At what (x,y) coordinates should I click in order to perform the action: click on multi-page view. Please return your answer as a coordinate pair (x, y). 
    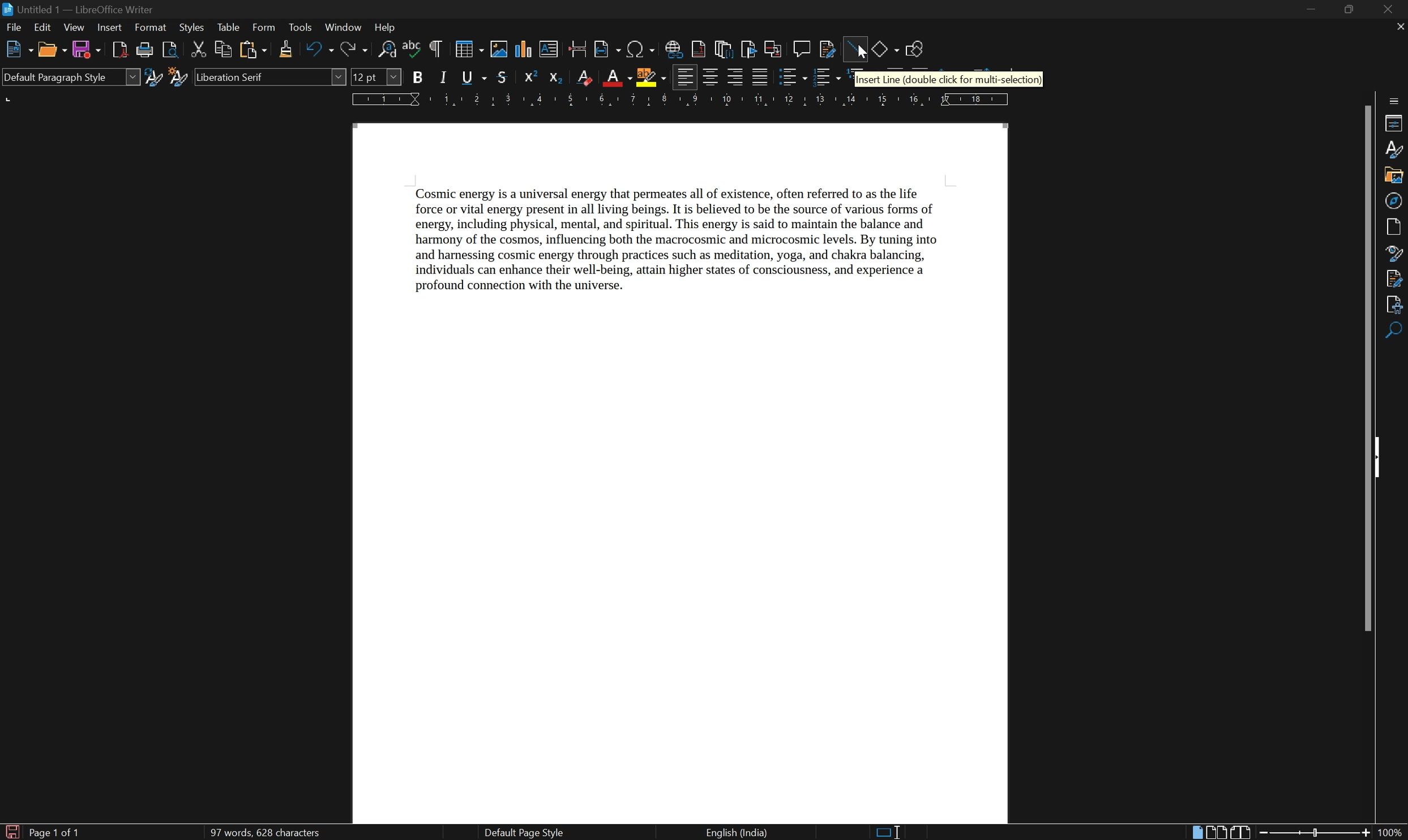
    Looking at the image, I should click on (1218, 832).